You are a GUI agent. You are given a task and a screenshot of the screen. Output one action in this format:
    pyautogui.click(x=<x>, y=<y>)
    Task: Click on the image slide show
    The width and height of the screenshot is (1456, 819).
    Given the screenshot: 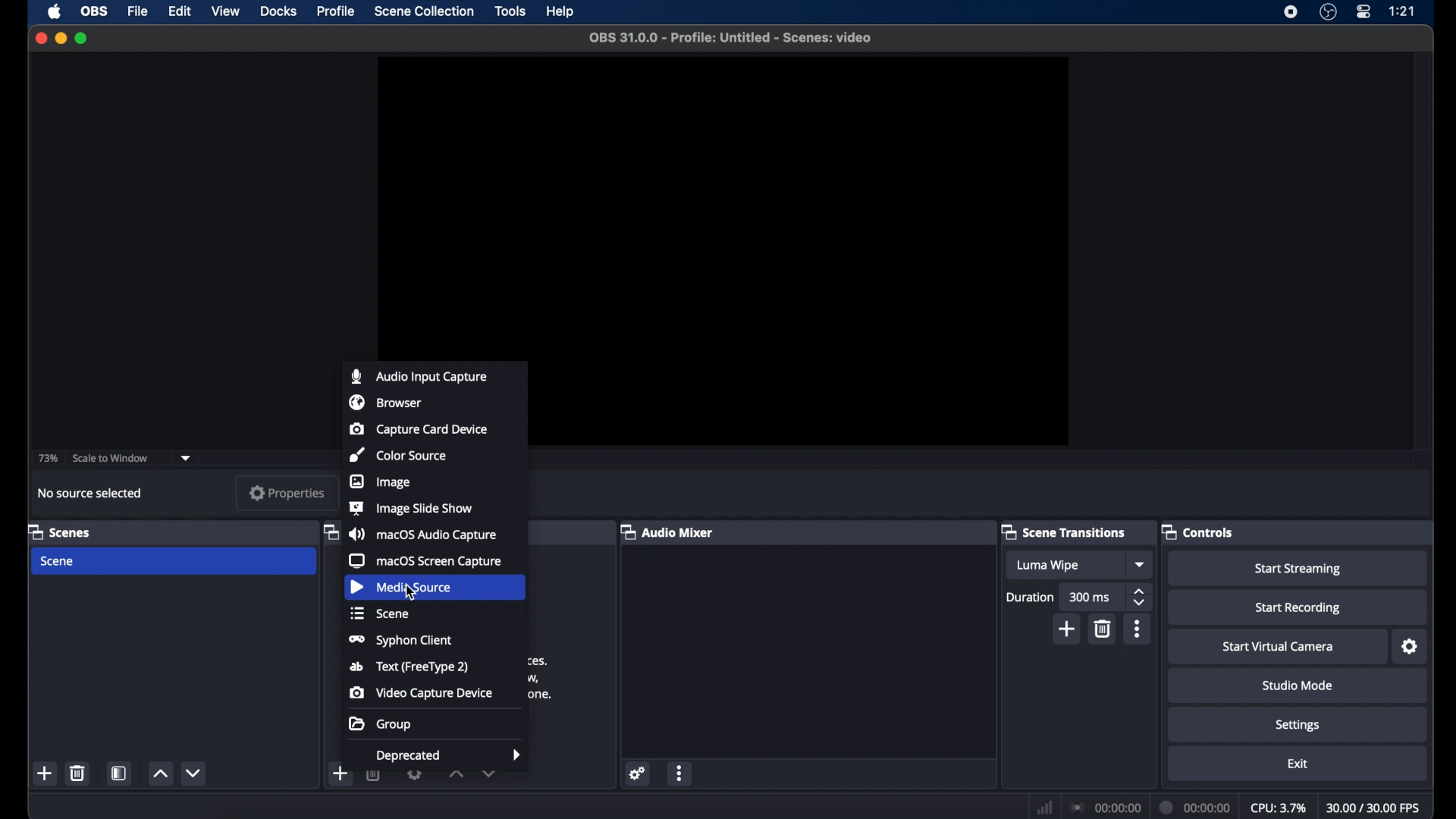 What is the action you would take?
    pyautogui.click(x=410, y=507)
    